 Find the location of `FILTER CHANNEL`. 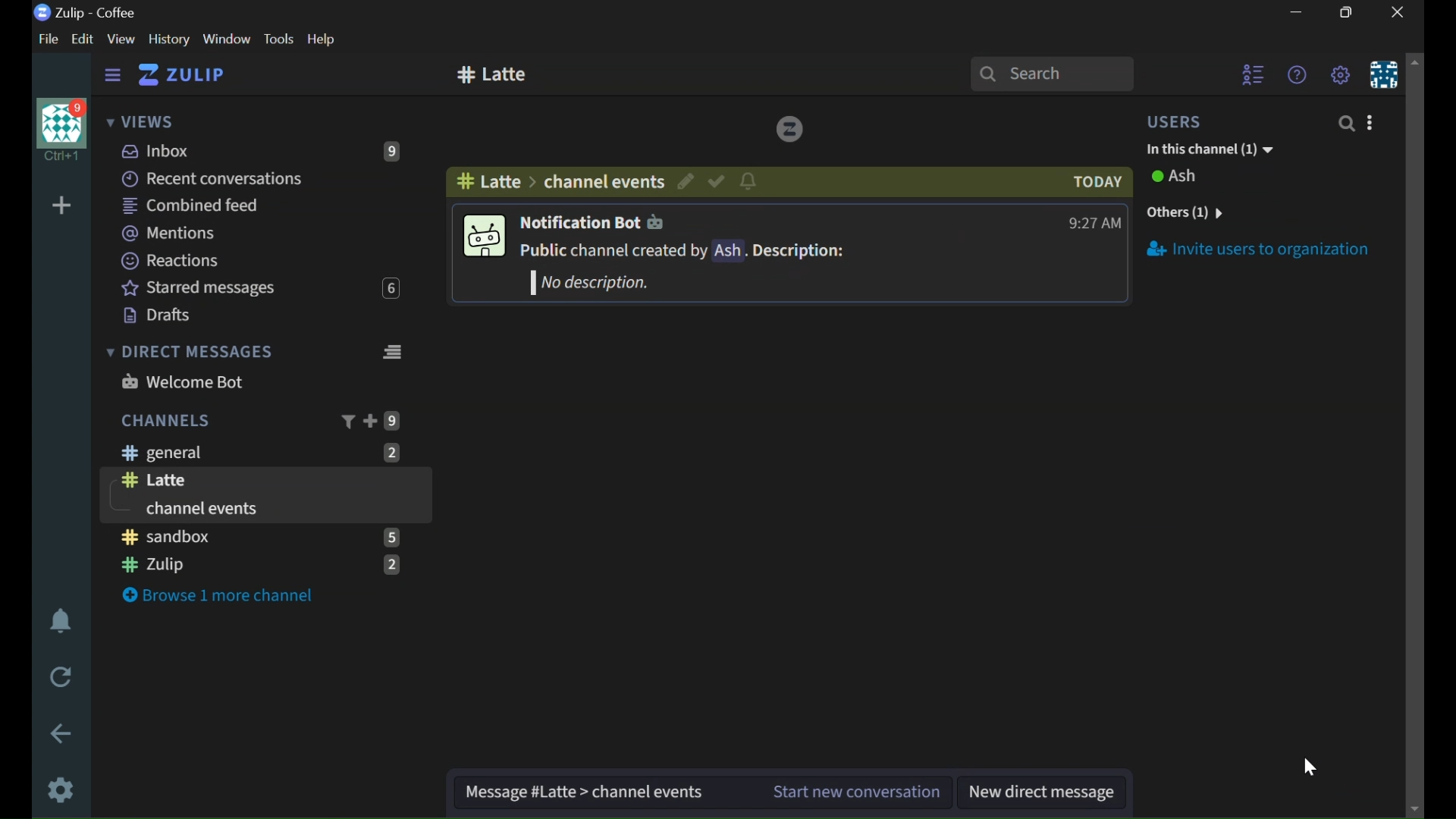

FILTER CHANNEL is located at coordinates (350, 422).